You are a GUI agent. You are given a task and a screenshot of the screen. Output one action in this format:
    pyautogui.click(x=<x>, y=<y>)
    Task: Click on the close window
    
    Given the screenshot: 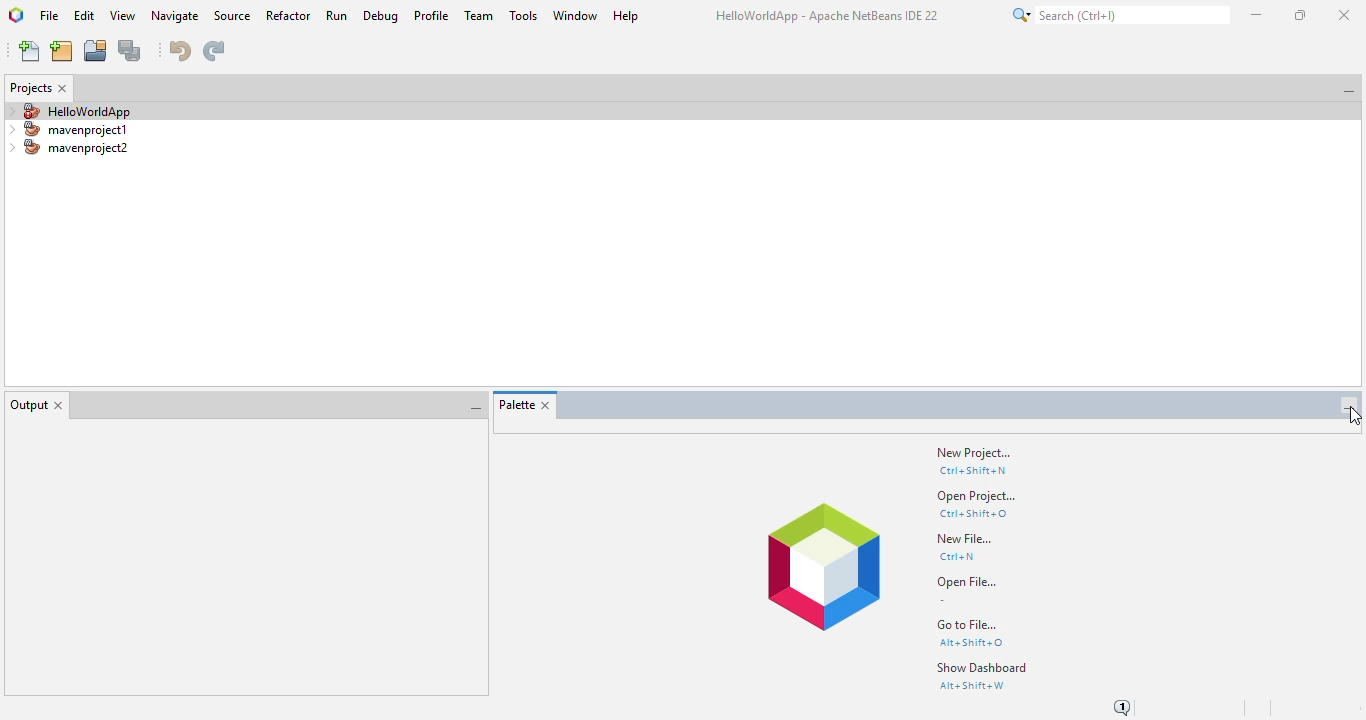 What is the action you would take?
    pyautogui.click(x=546, y=406)
    